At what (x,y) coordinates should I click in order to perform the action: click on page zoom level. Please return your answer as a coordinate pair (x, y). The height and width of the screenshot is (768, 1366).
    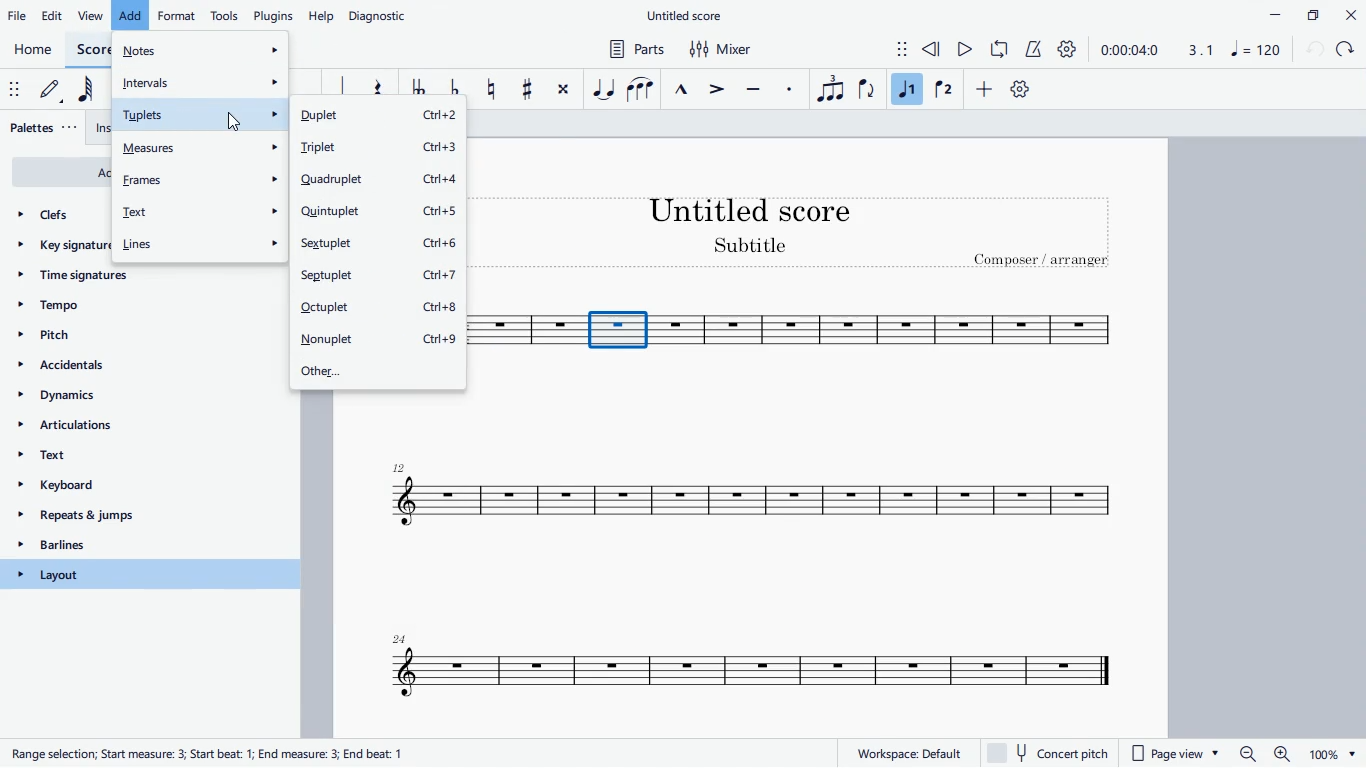
    Looking at the image, I should click on (1332, 755).